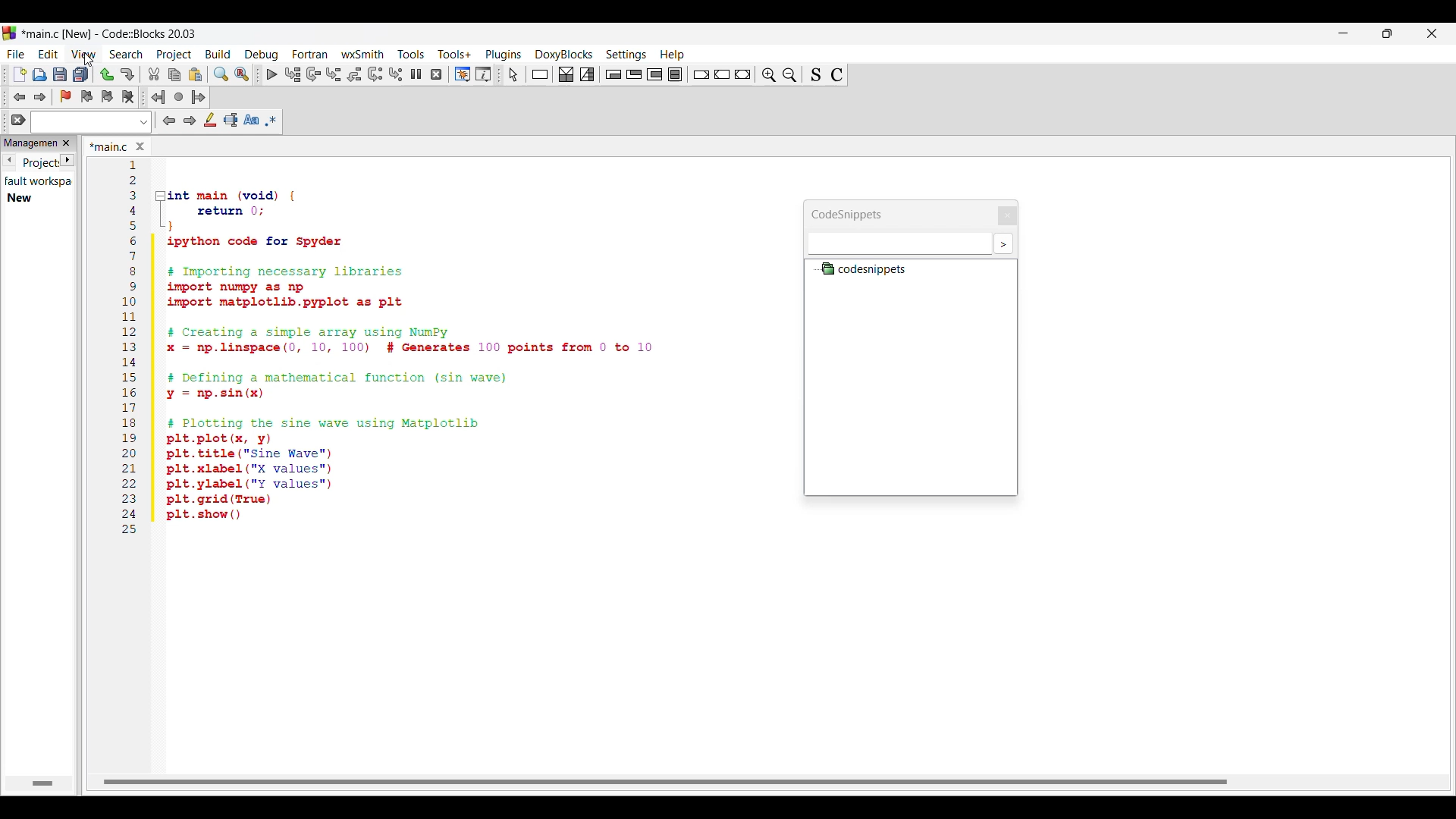 Image resolution: width=1456 pixels, height=819 pixels. Describe the element at coordinates (210, 119) in the screenshot. I see `Highlight` at that location.